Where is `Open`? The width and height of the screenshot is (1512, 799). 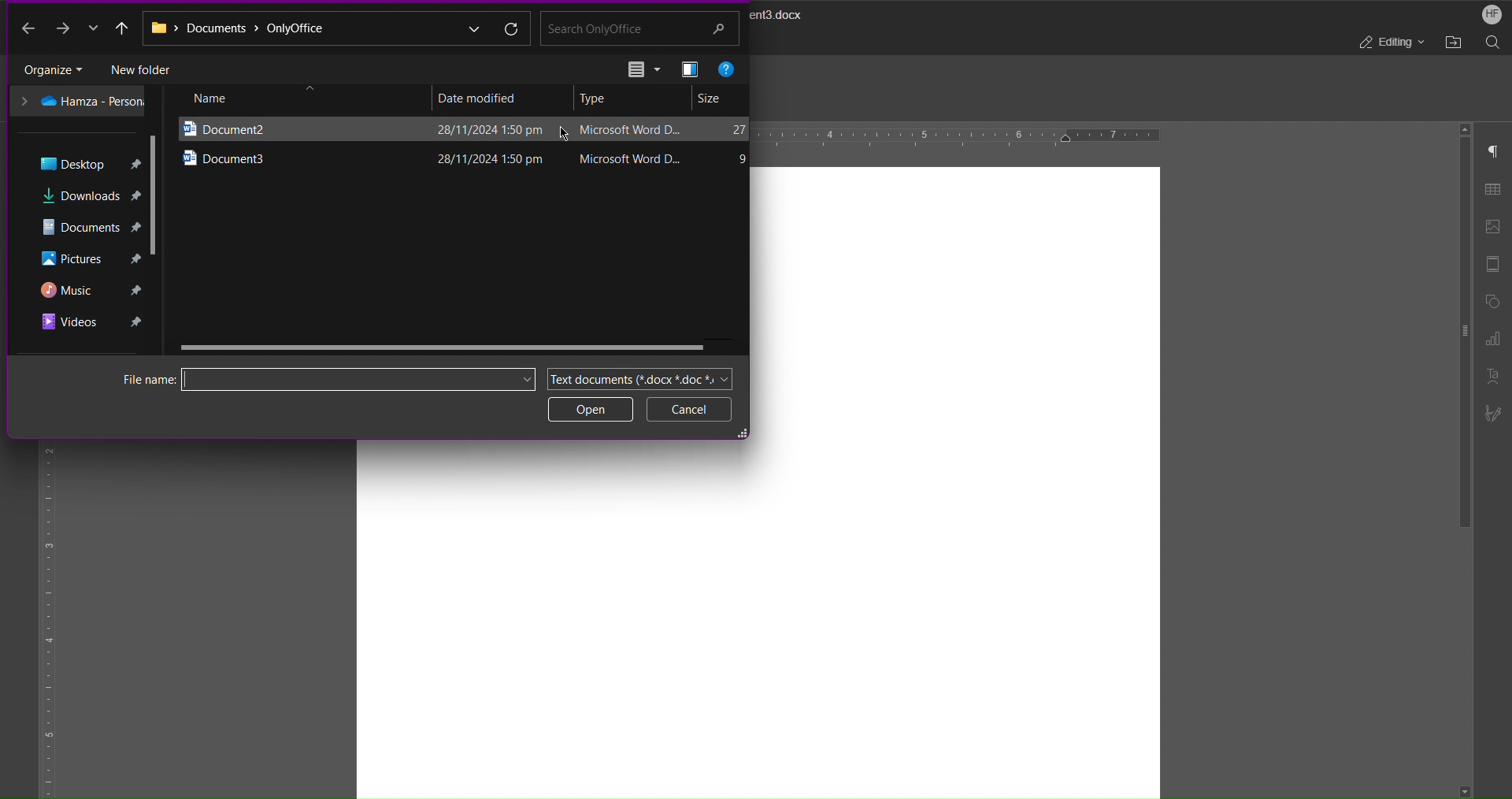
Open is located at coordinates (591, 409).